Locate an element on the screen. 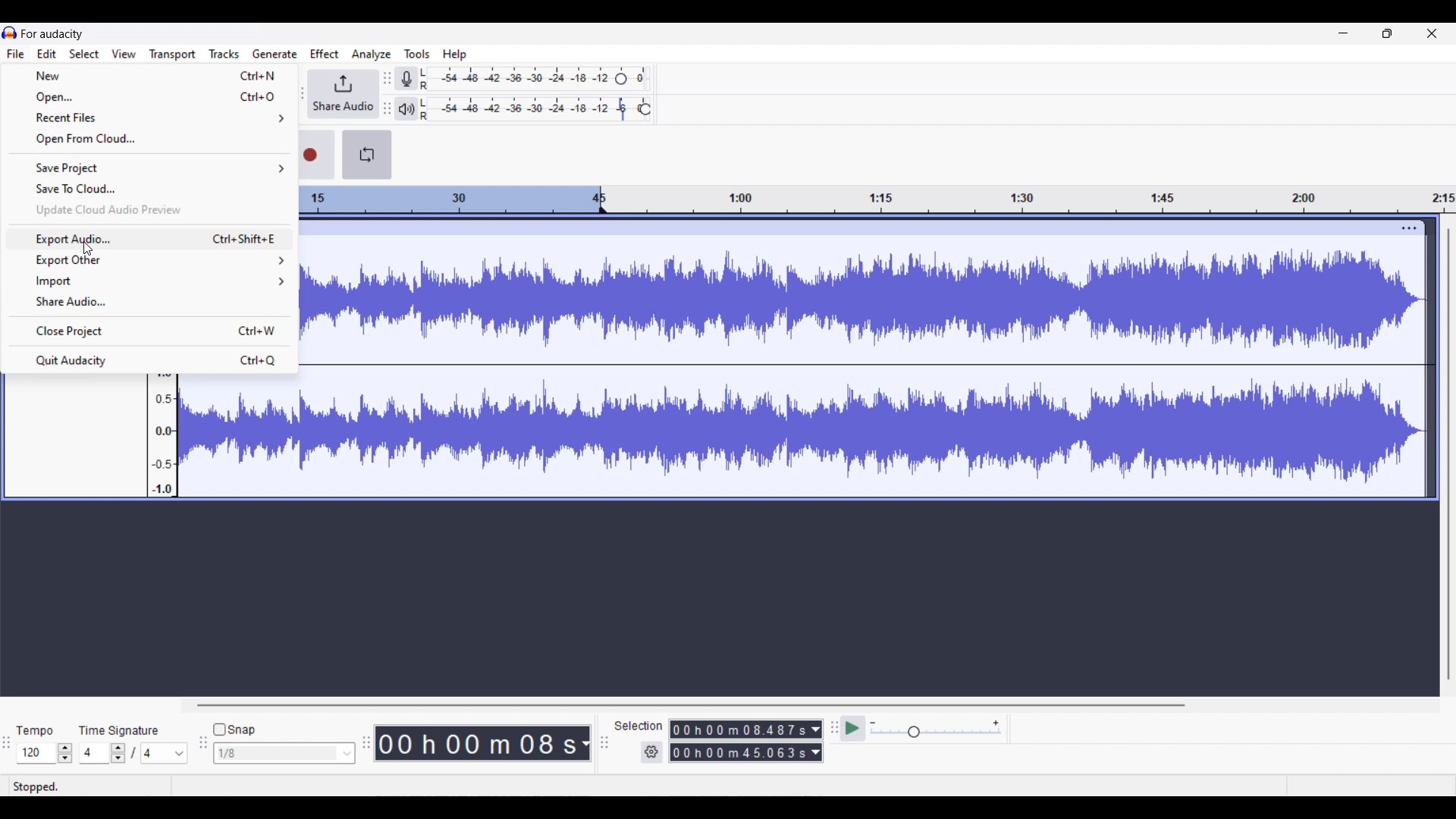 Image resolution: width=1456 pixels, height=819 pixels. Minimize is located at coordinates (1343, 33).